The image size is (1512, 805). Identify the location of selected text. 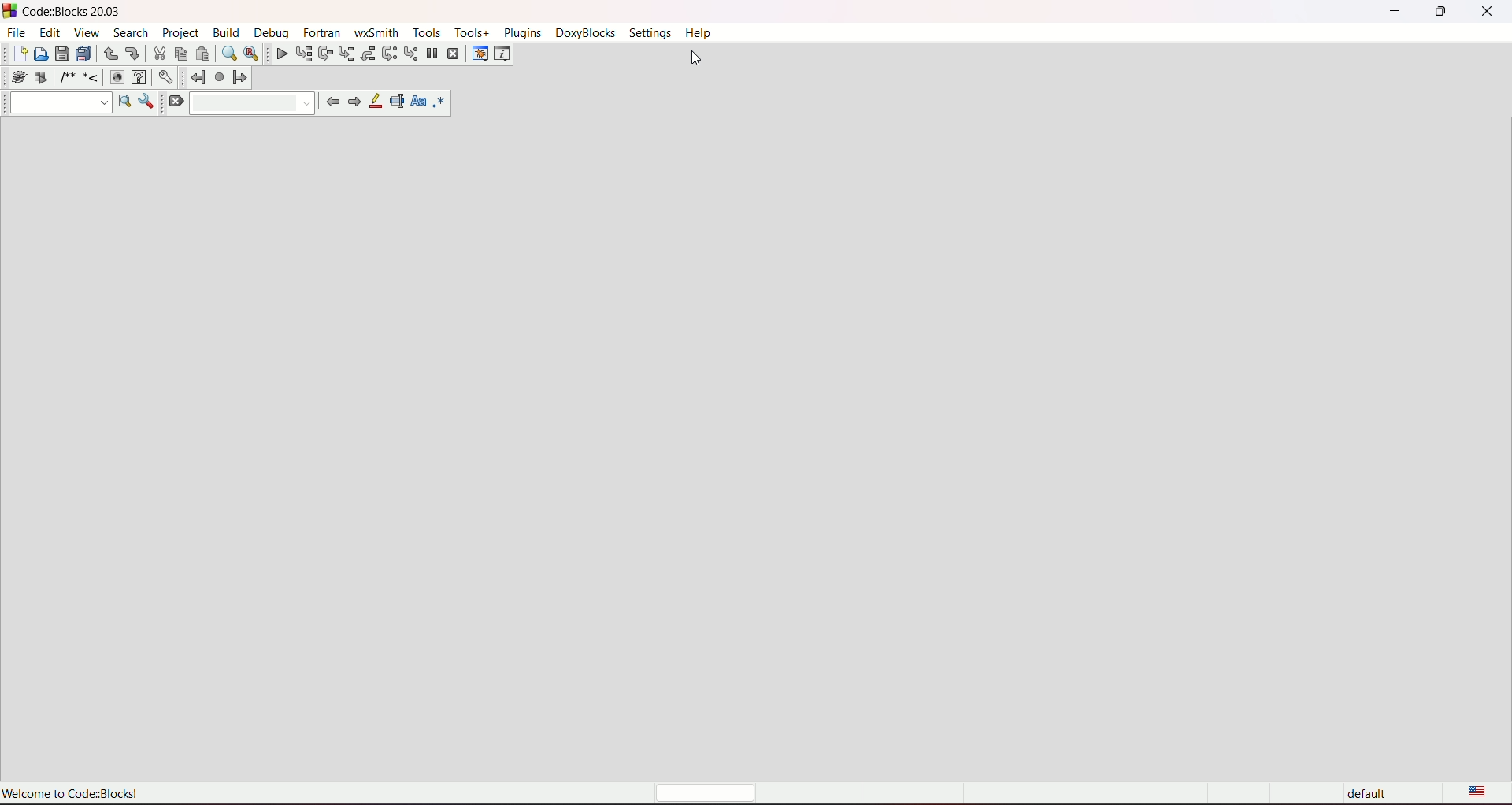
(398, 100).